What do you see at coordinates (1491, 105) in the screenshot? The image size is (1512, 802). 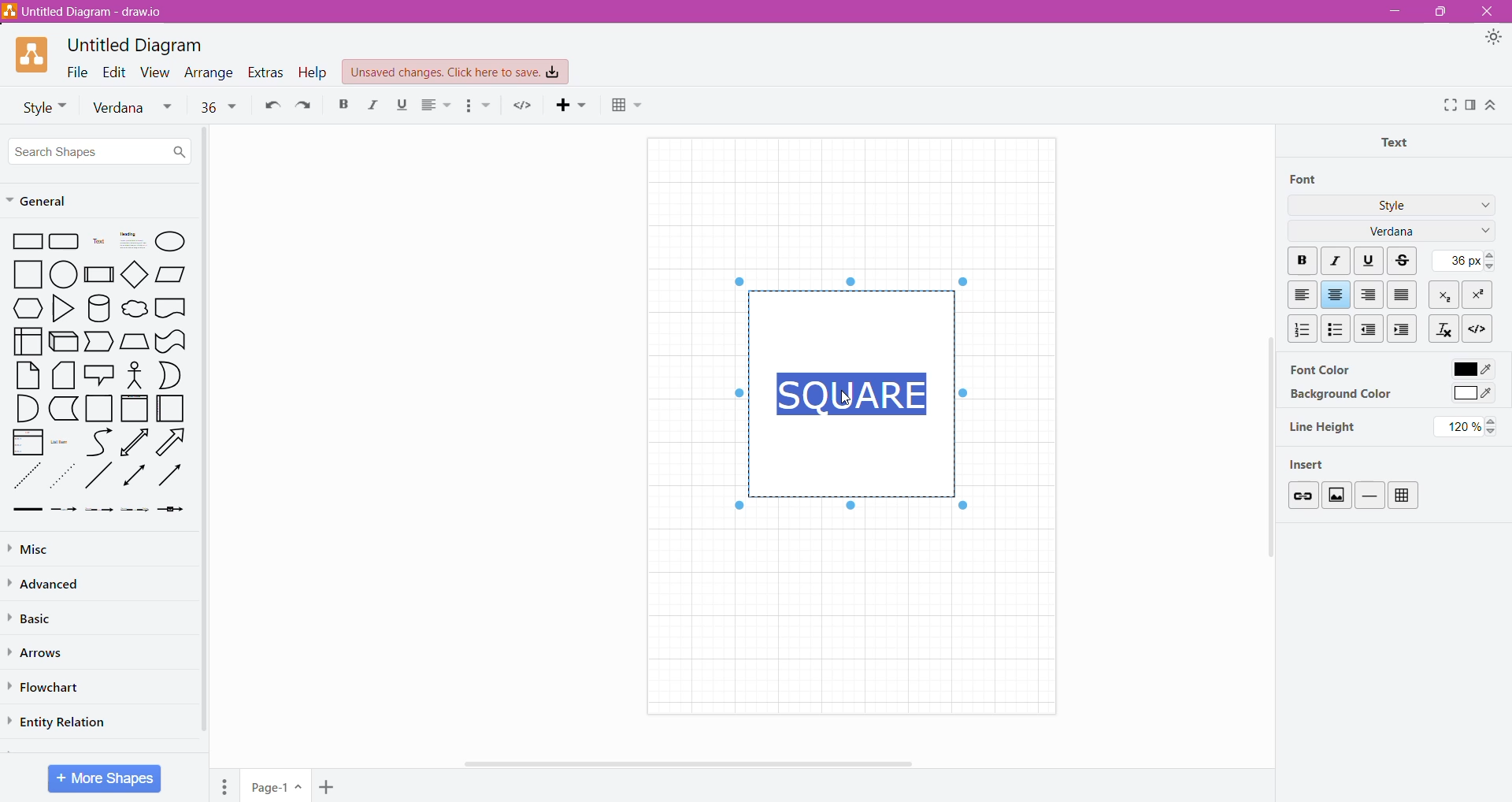 I see `Expand/Collapse` at bounding box center [1491, 105].